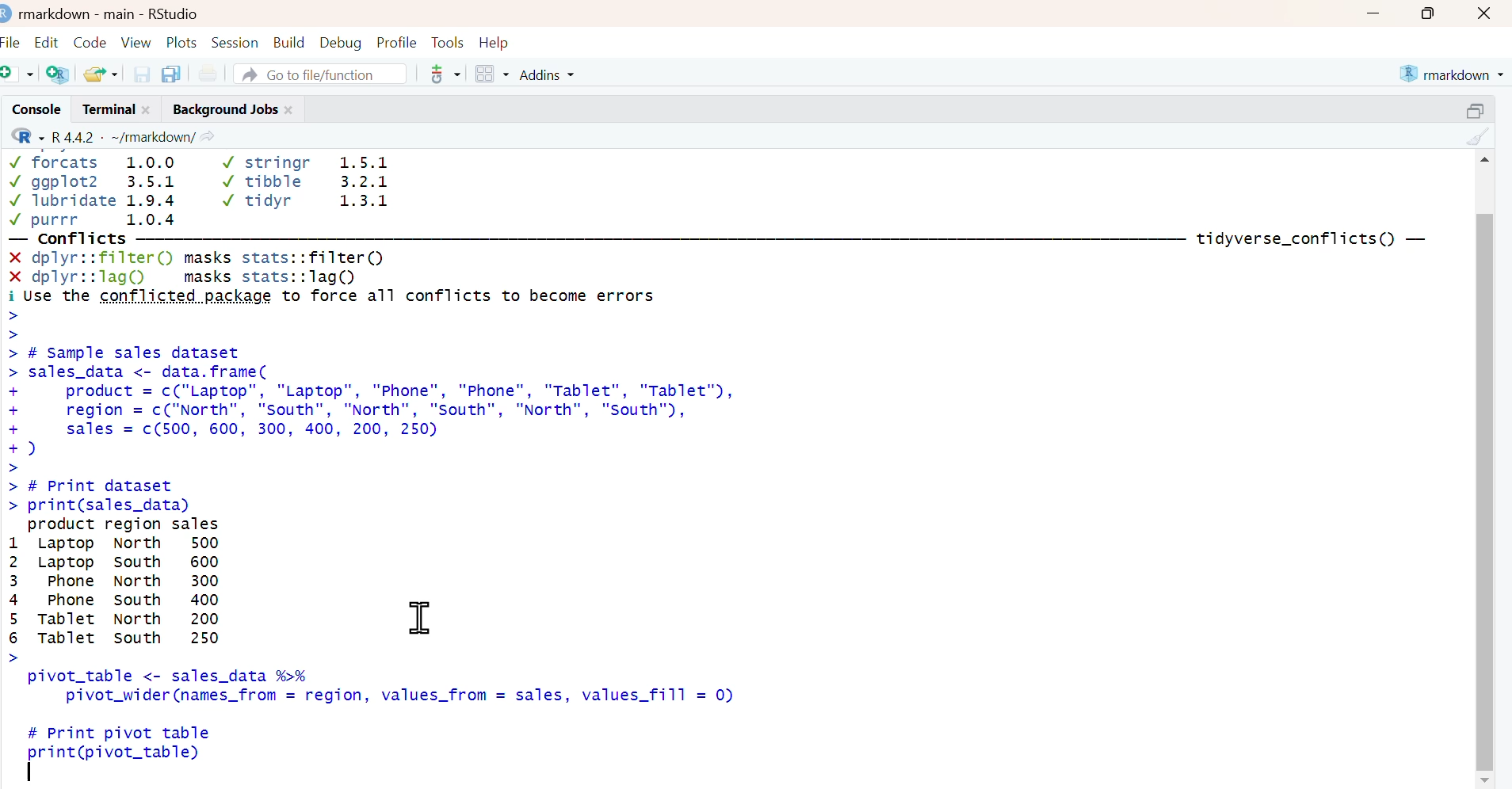 The image size is (1512, 789). What do you see at coordinates (724, 470) in the screenshot?
I see `v forcats 1.0.0 Vv stringr 1.5.1
Vv ggplot2 3.5.1 Vv tibble 3.2.1
Vv lubridate 1.9.4 Vv tidyr 1.3.1
Vv purrr 1.0.4
— confljcts ——MM — ———  ___—————————— tidyverse_conflicts() —
X dplyr::filter() masks stats::filter(Q)
X dplyr::lagQ masks stats::lagQ)
i Use the conflicted package to force all conflicts to become errors
>
>
> # sample sales dataset
> sales_data <- data.frame(
+ product = c("Laptop"”, "Laptop", "Phone", "Phone", "Tablet", "Tablet"),
+ region = c("North"”, "south", "North", "south", "North", "south",
+ sales = c(500, 600, 300, 400, 200, 250)
+)
>
> # Print dataset
> print(sales_data)
product region sales
1 Laptop North 500
2 Laptop South 600
3 phone North 300
4 phone south 400
5 Tablet North 200 TI
6 Tablet south 250
>
pivot_table <- sales_data %>%
pivot_wider(names_from = region, values_from = sales, values_fill = 0)
# Print pivot table
print tate)` at bounding box center [724, 470].